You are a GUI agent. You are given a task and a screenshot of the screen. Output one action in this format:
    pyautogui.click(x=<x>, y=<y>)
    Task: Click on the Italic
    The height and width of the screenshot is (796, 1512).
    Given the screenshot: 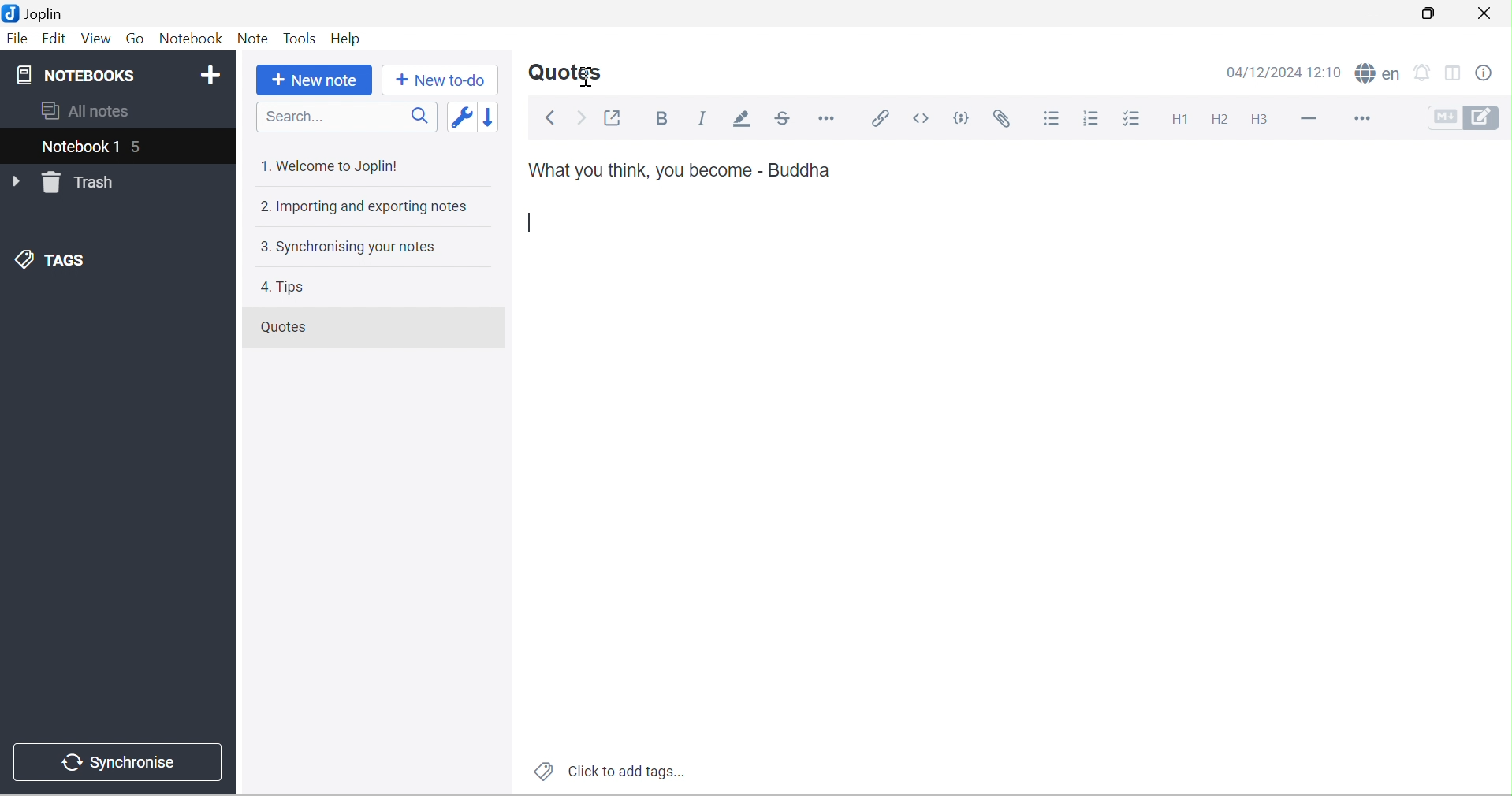 What is the action you would take?
    pyautogui.click(x=707, y=118)
    